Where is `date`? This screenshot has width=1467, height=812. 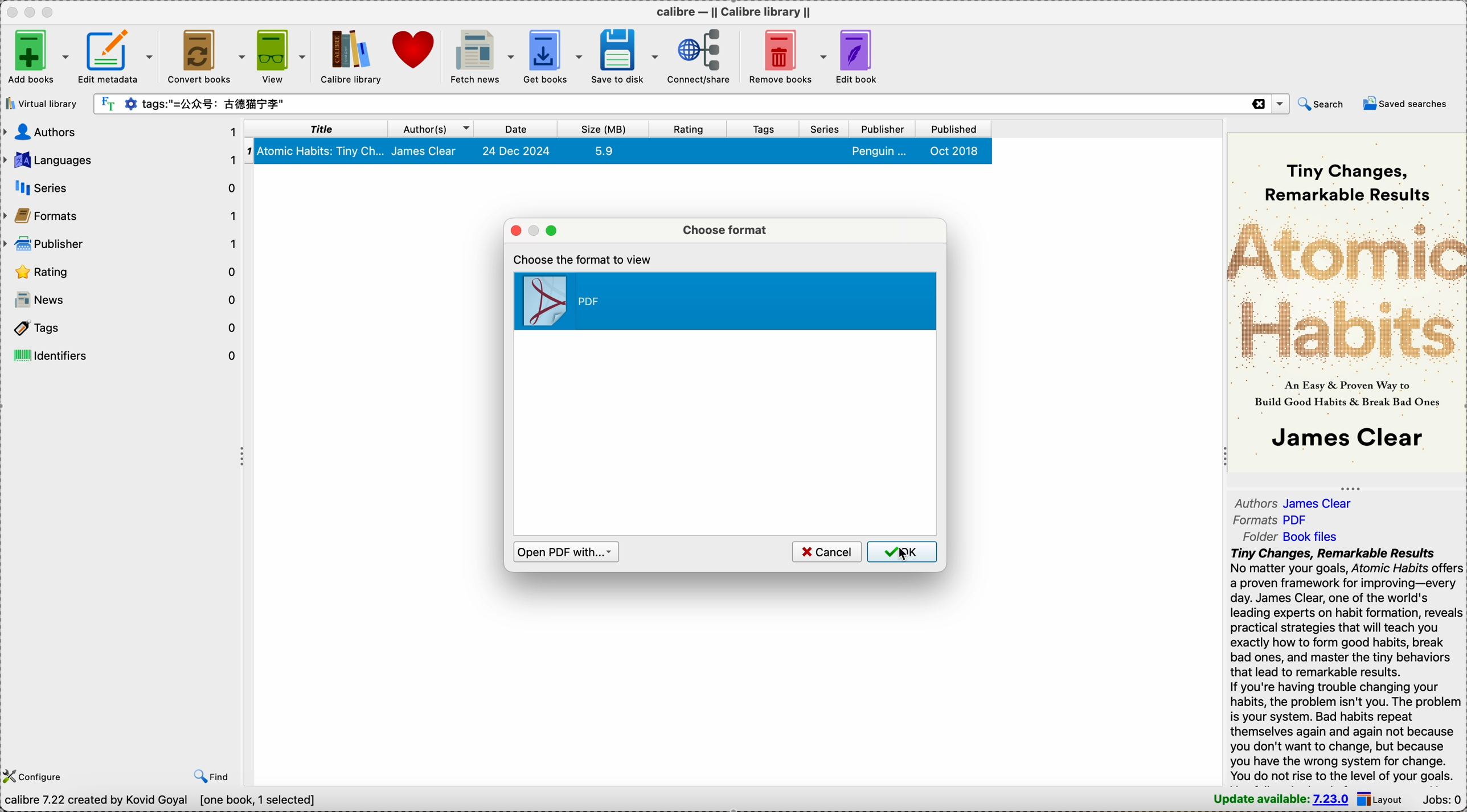 date is located at coordinates (517, 129).